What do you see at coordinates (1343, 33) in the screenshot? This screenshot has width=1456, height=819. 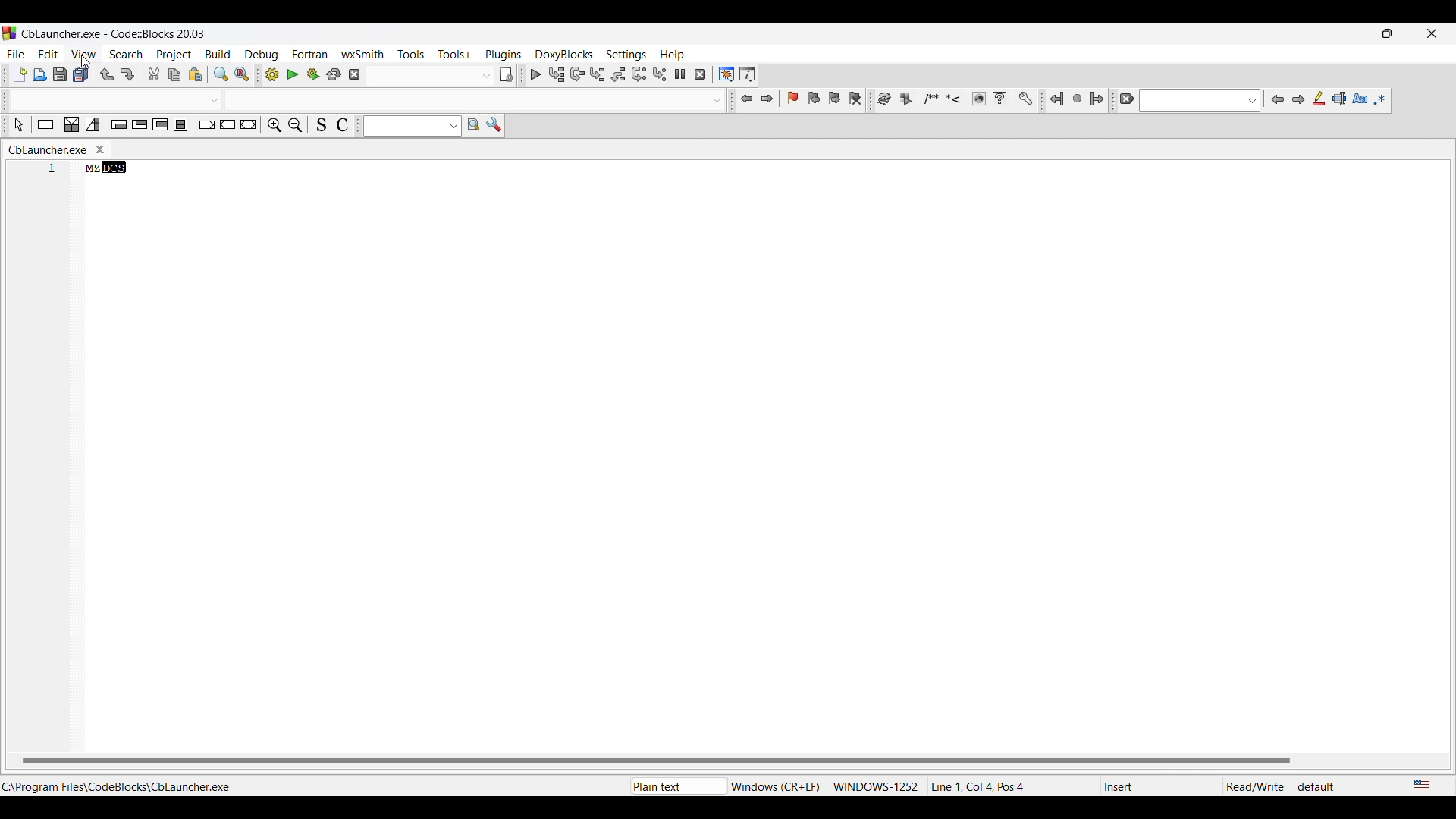 I see `Minimize` at bounding box center [1343, 33].